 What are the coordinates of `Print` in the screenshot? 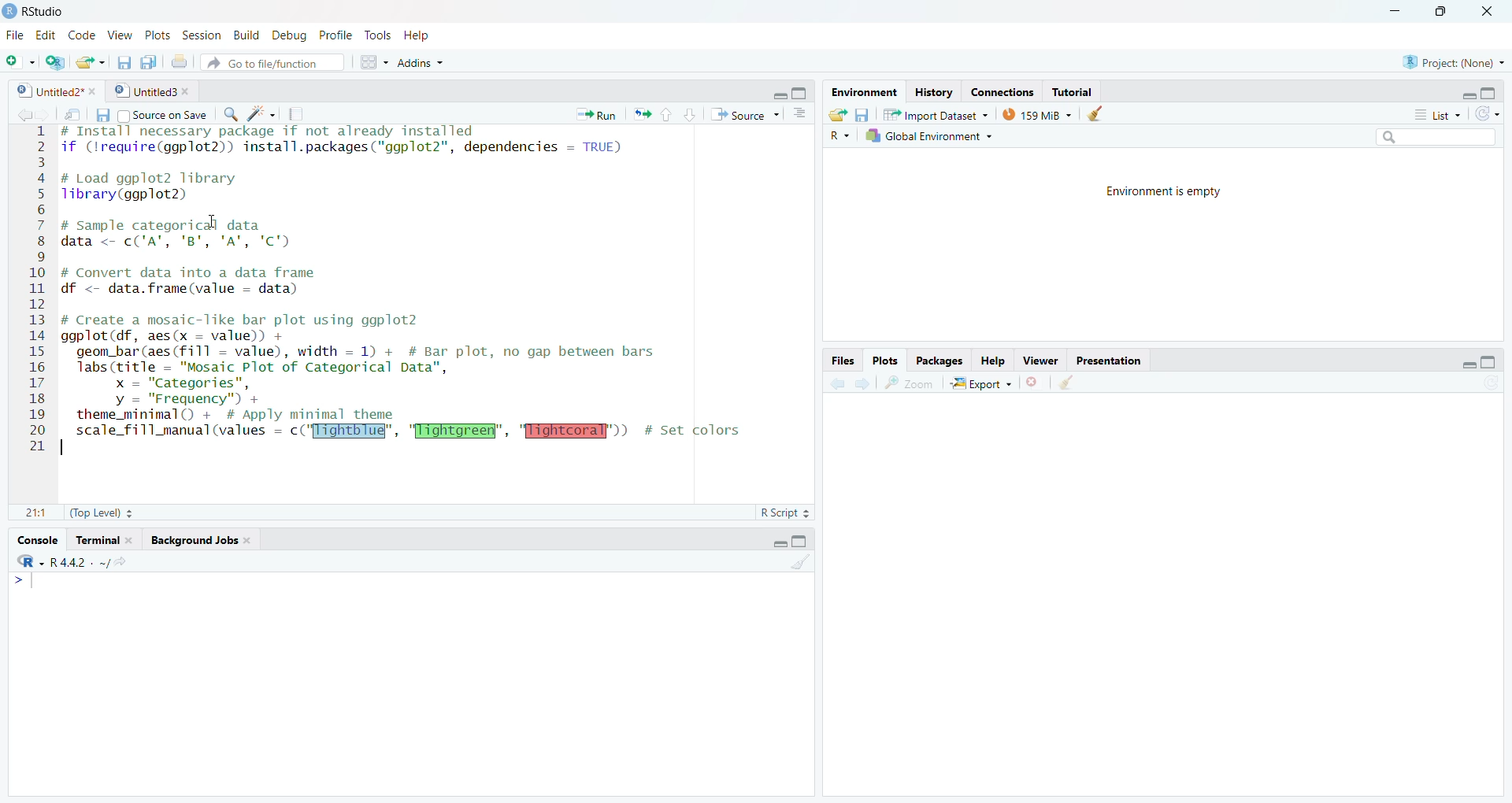 It's located at (180, 62).